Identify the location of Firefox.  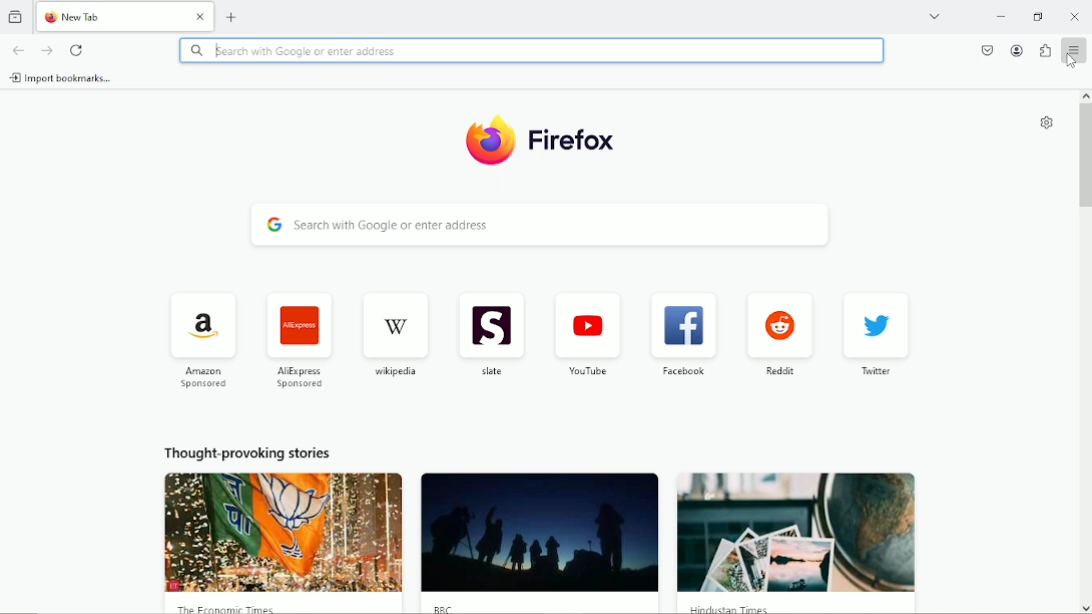
(540, 141).